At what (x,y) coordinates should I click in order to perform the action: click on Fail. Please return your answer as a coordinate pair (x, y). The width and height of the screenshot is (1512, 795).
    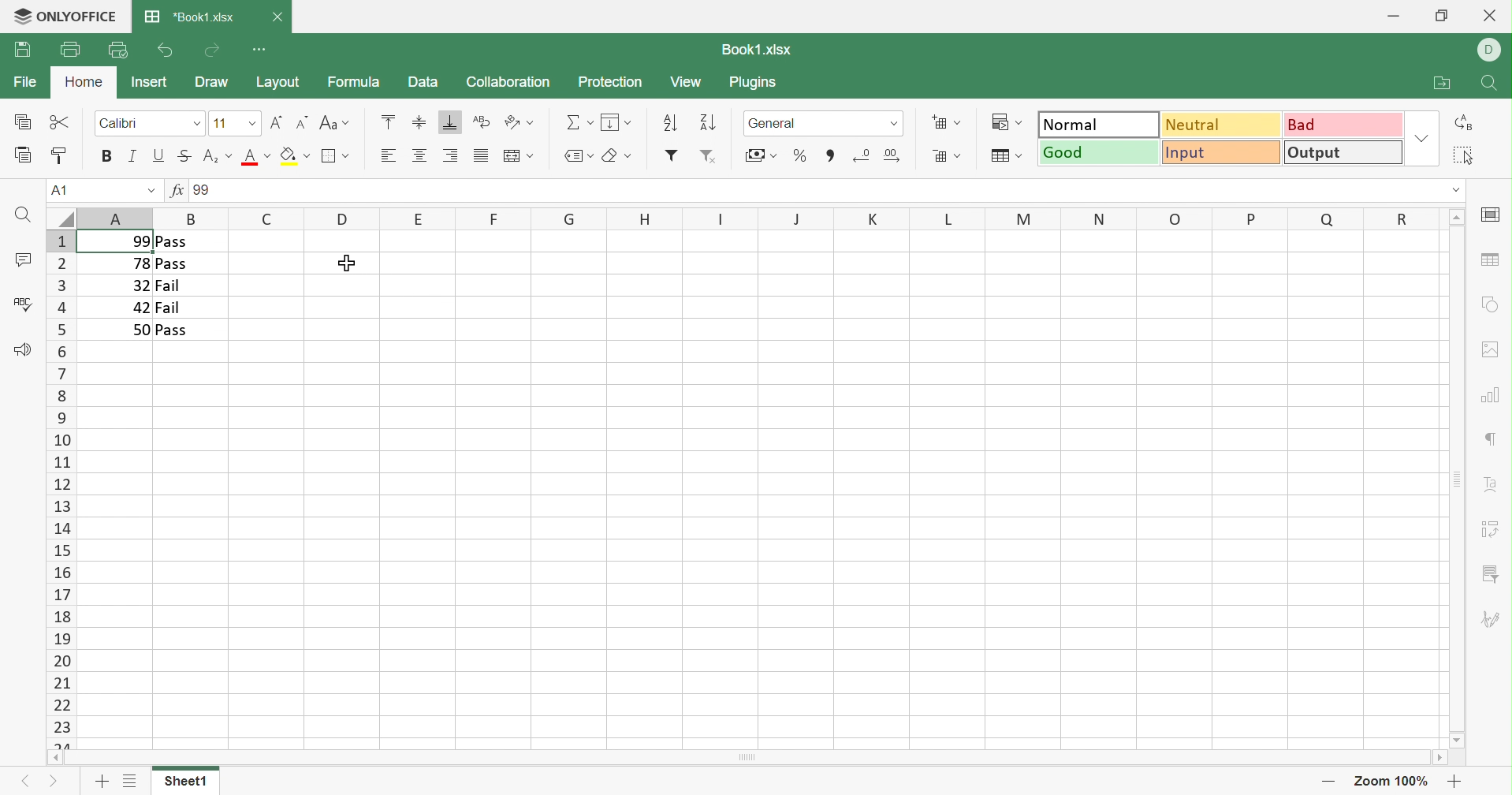
    Looking at the image, I should click on (170, 308).